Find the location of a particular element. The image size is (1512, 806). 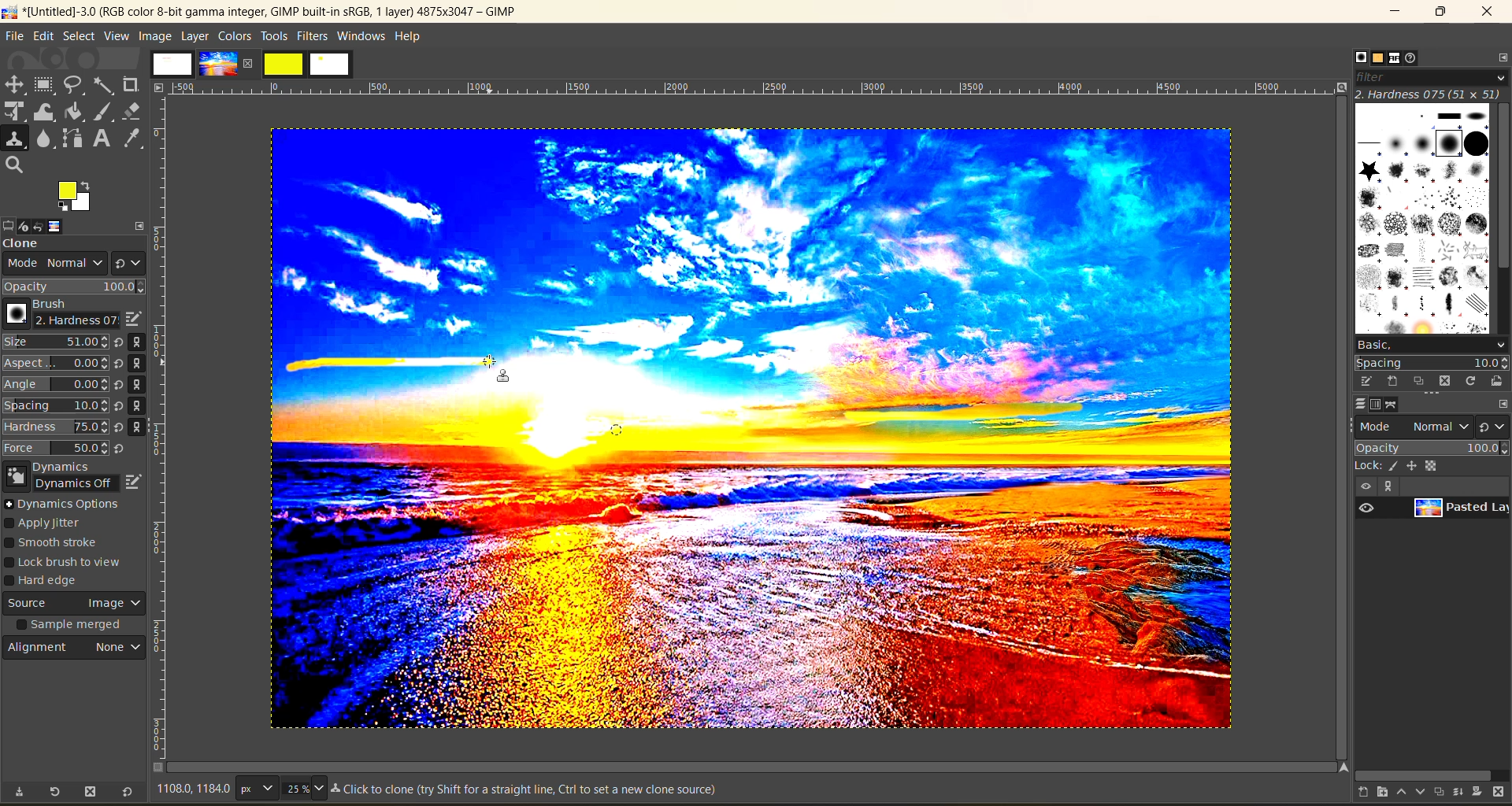

spacing is located at coordinates (1432, 363).